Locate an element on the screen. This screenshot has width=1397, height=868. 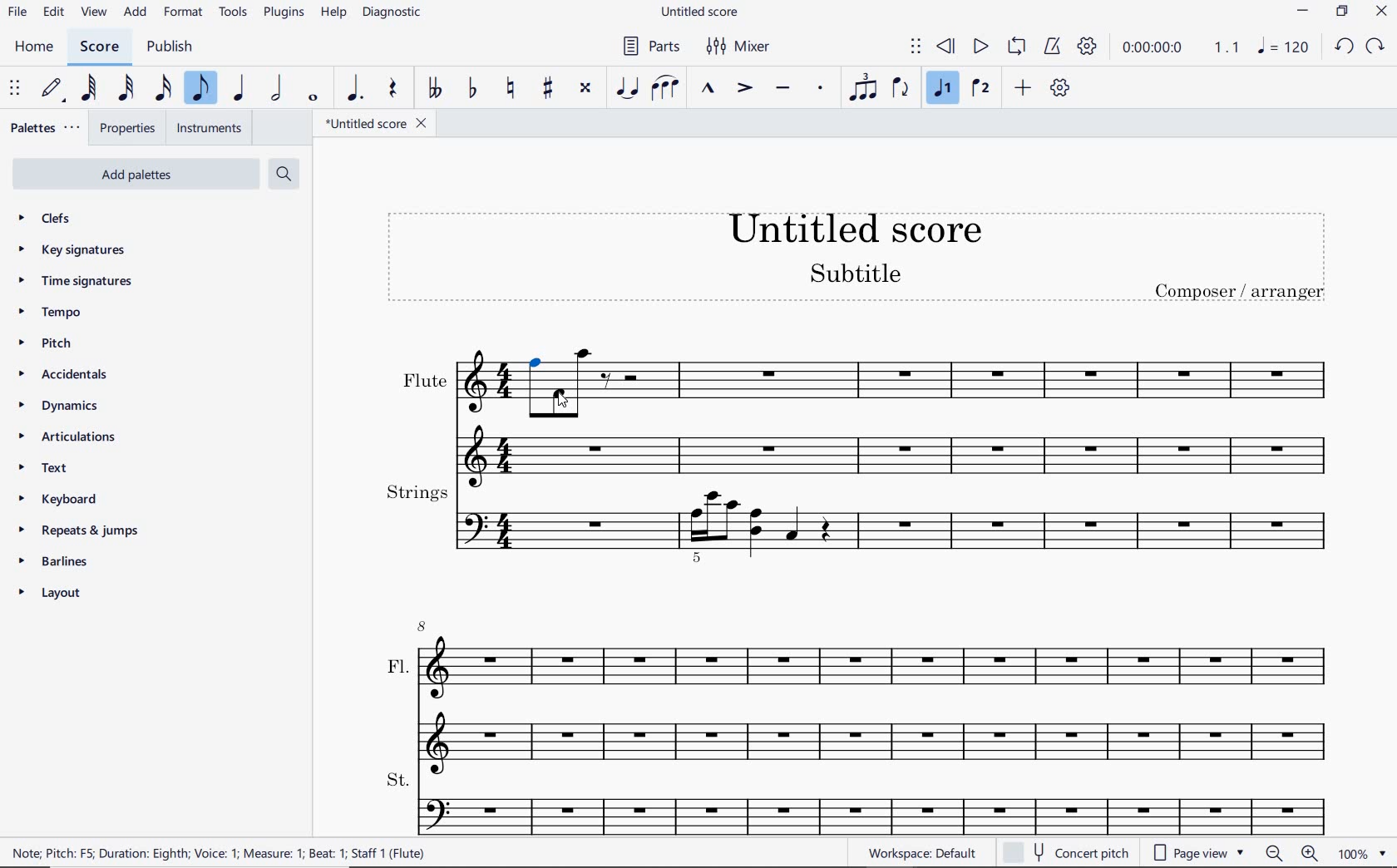
barlines is located at coordinates (54, 560).